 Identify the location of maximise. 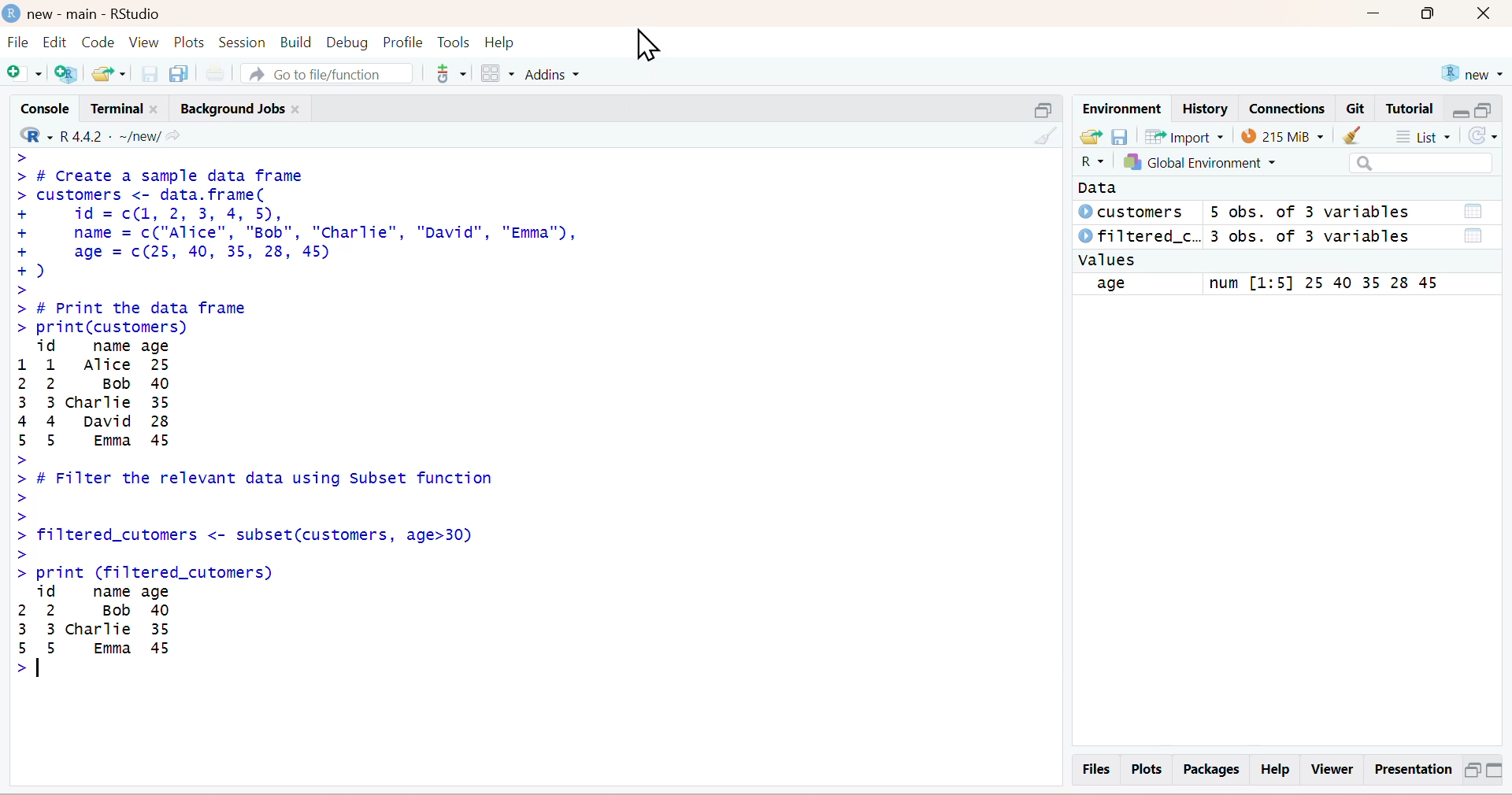
(1486, 109).